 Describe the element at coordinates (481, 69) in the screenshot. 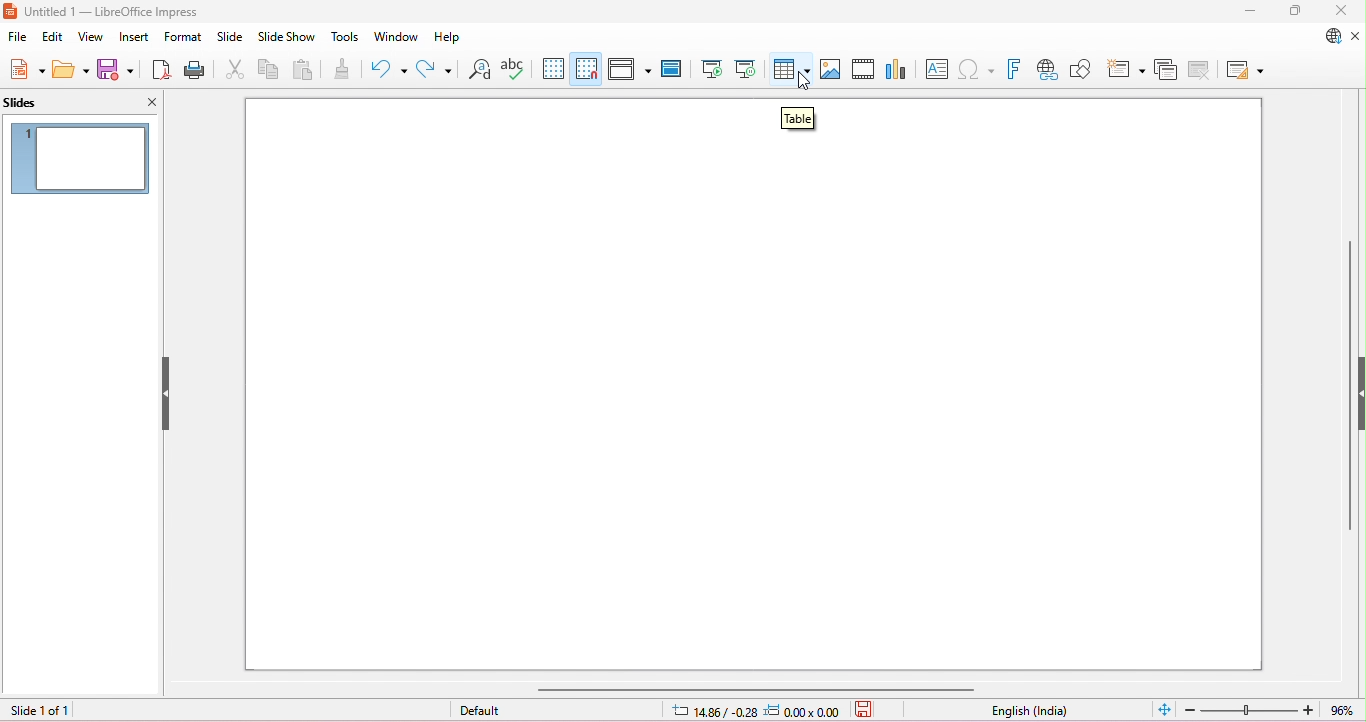

I see `find and replace` at that location.